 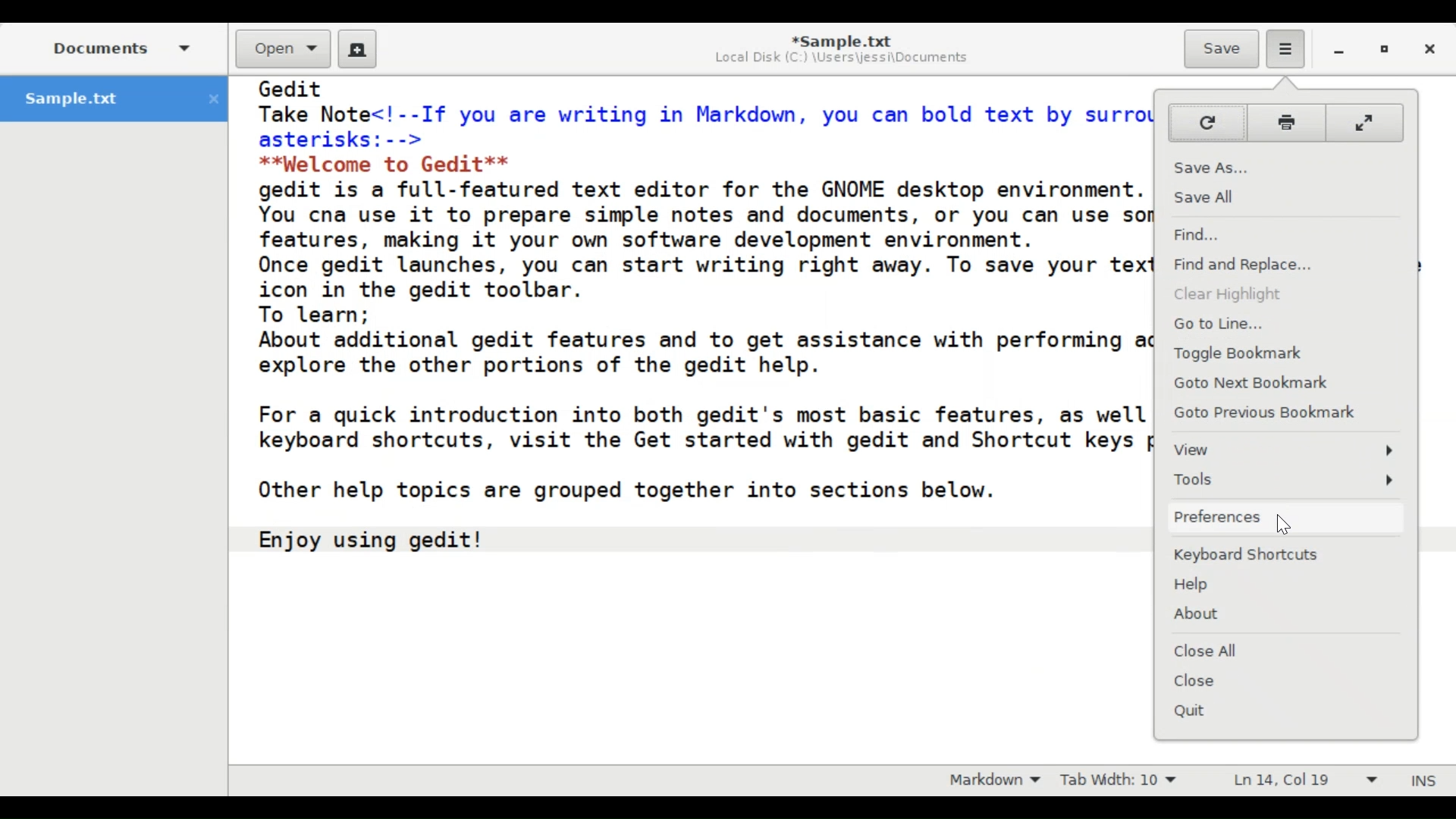 I want to click on Documents, so click(x=124, y=48).